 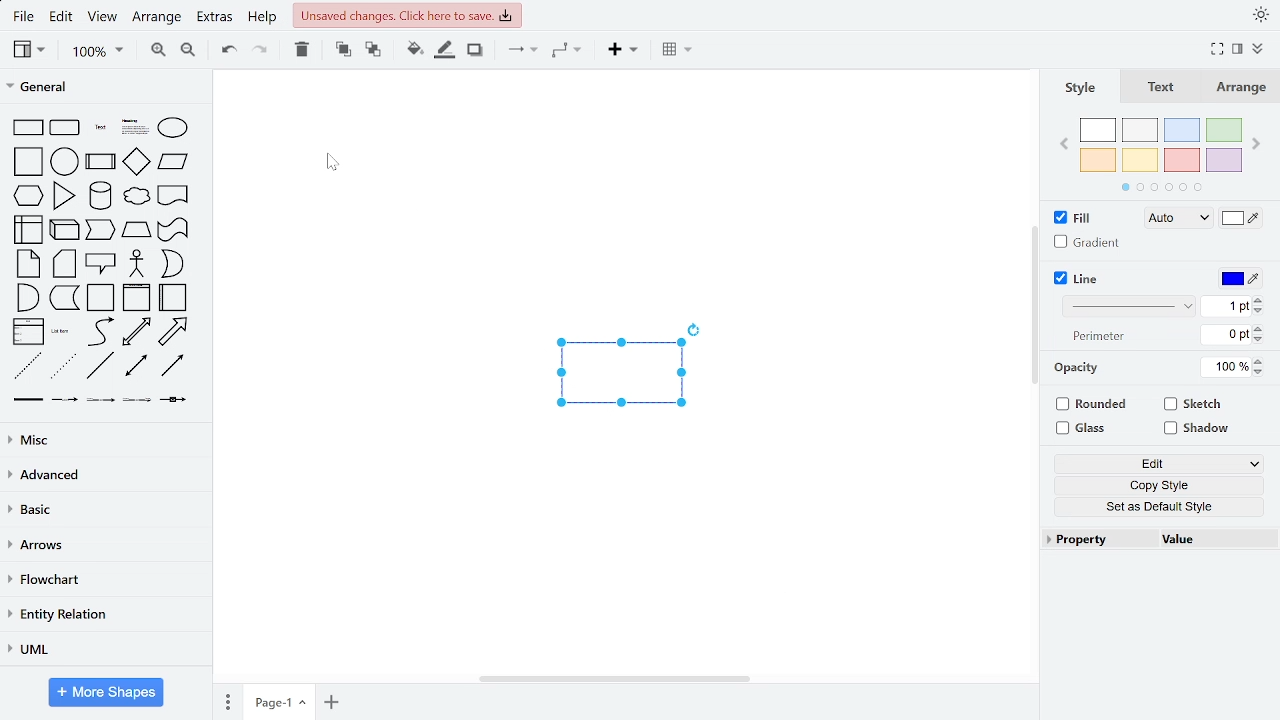 What do you see at coordinates (616, 377) in the screenshot?
I see `preview` at bounding box center [616, 377].